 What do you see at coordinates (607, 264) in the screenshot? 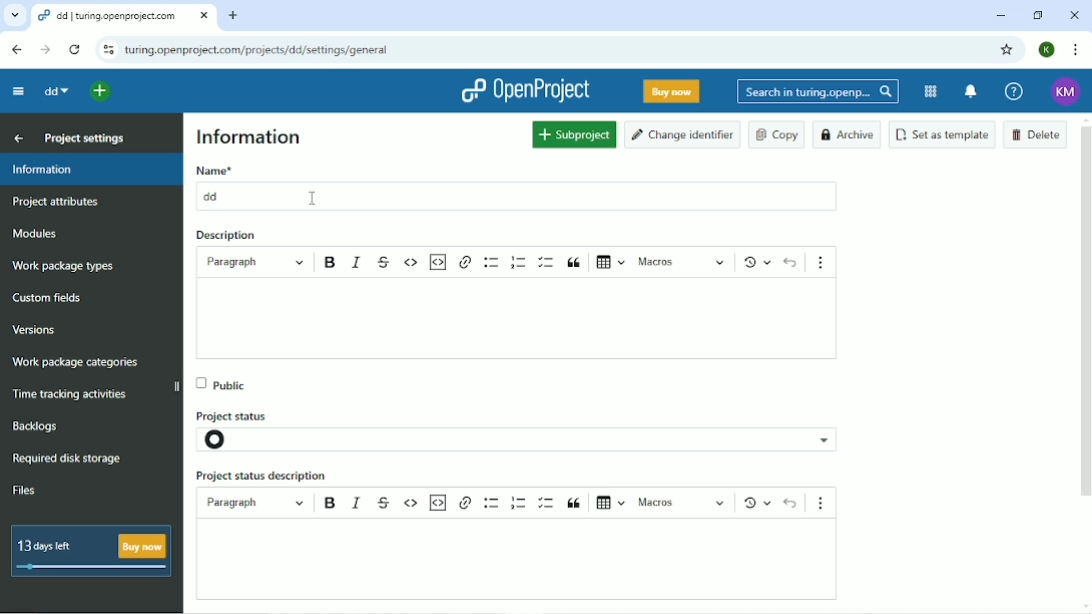
I see `Insert table` at bounding box center [607, 264].